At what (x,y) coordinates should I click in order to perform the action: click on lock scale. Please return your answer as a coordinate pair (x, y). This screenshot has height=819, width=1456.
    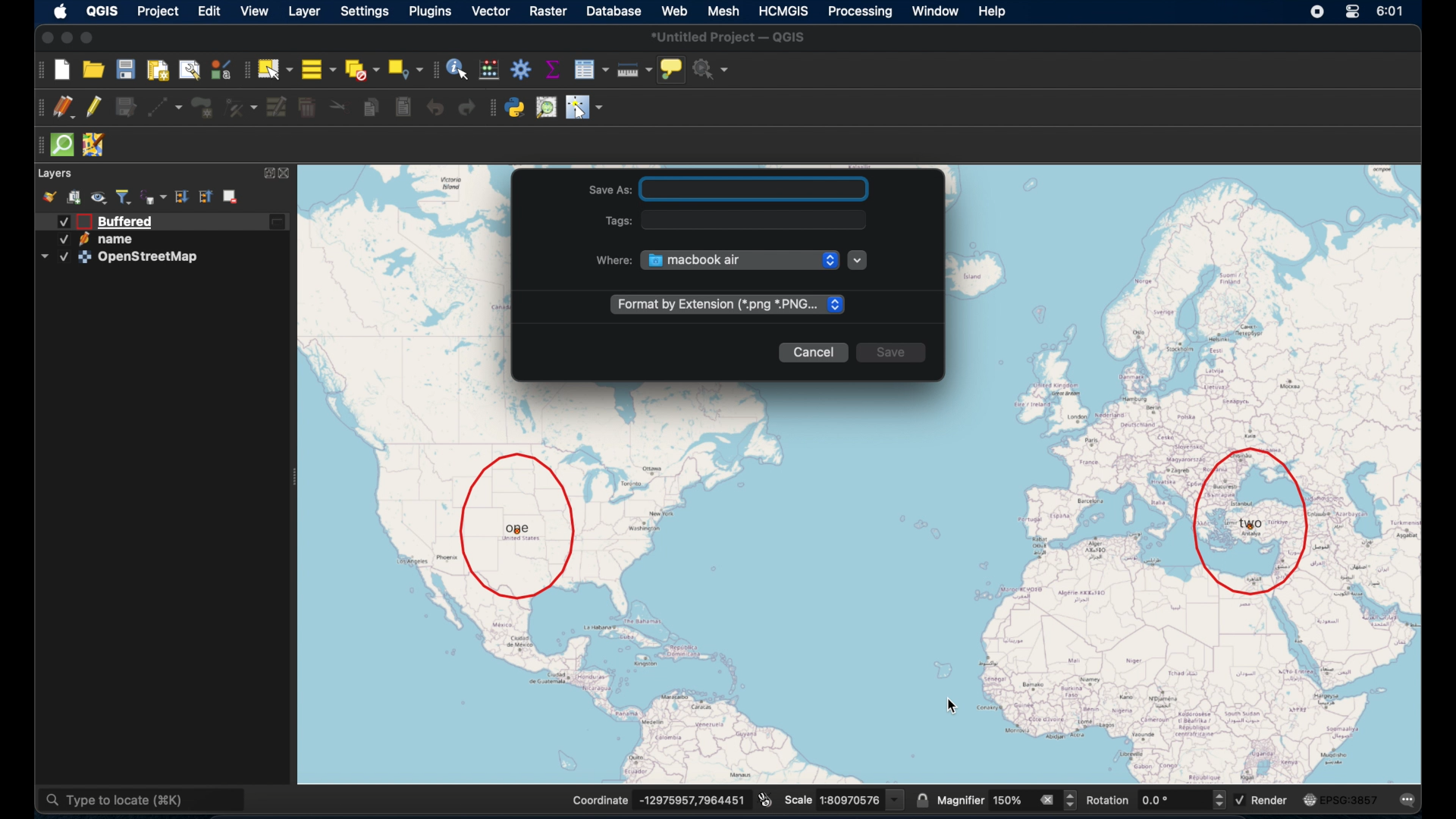
    Looking at the image, I should click on (922, 797).